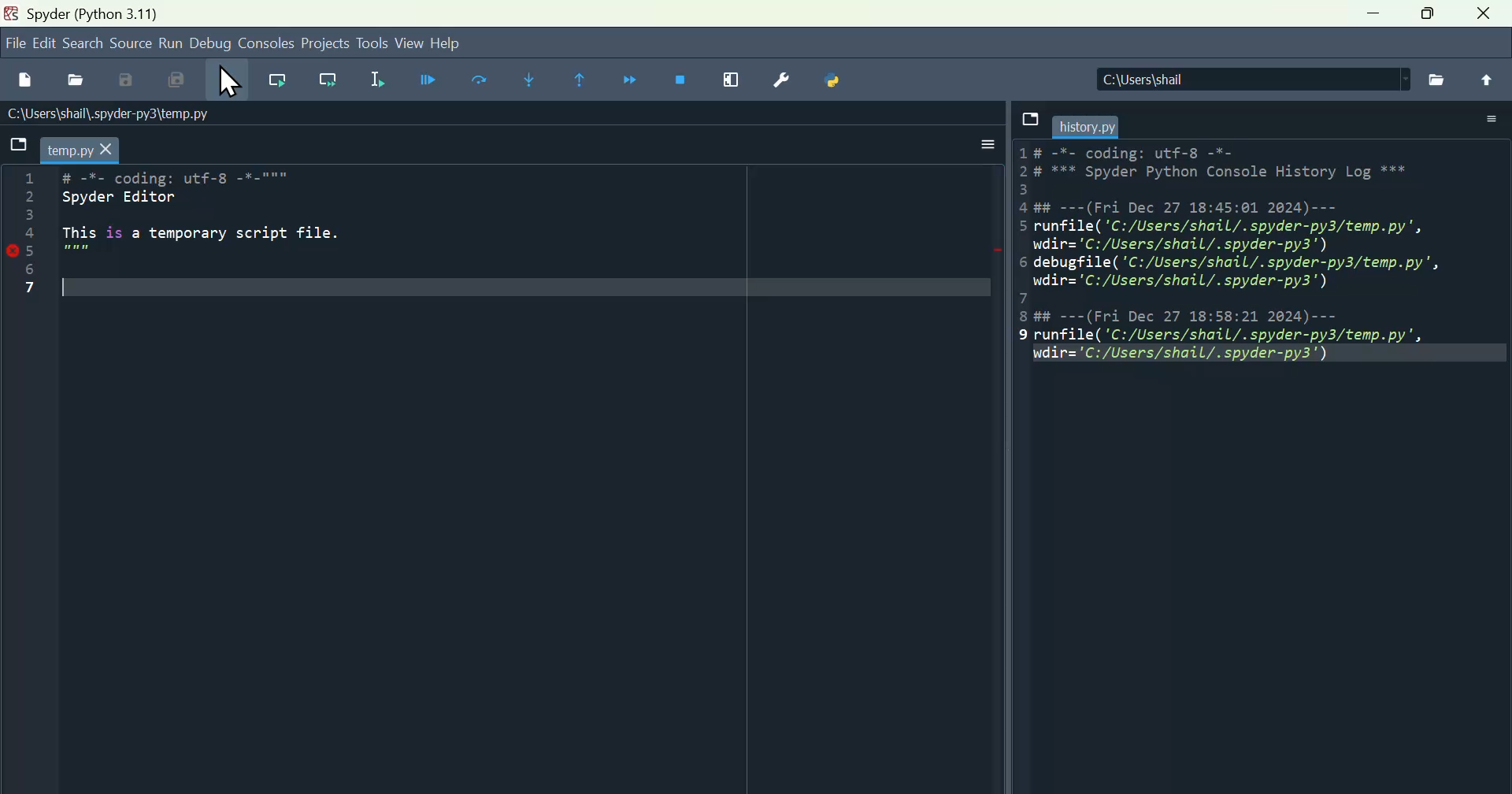 The width and height of the screenshot is (1512, 794). What do you see at coordinates (738, 81) in the screenshot?
I see `Maximise current window` at bounding box center [738, 81].